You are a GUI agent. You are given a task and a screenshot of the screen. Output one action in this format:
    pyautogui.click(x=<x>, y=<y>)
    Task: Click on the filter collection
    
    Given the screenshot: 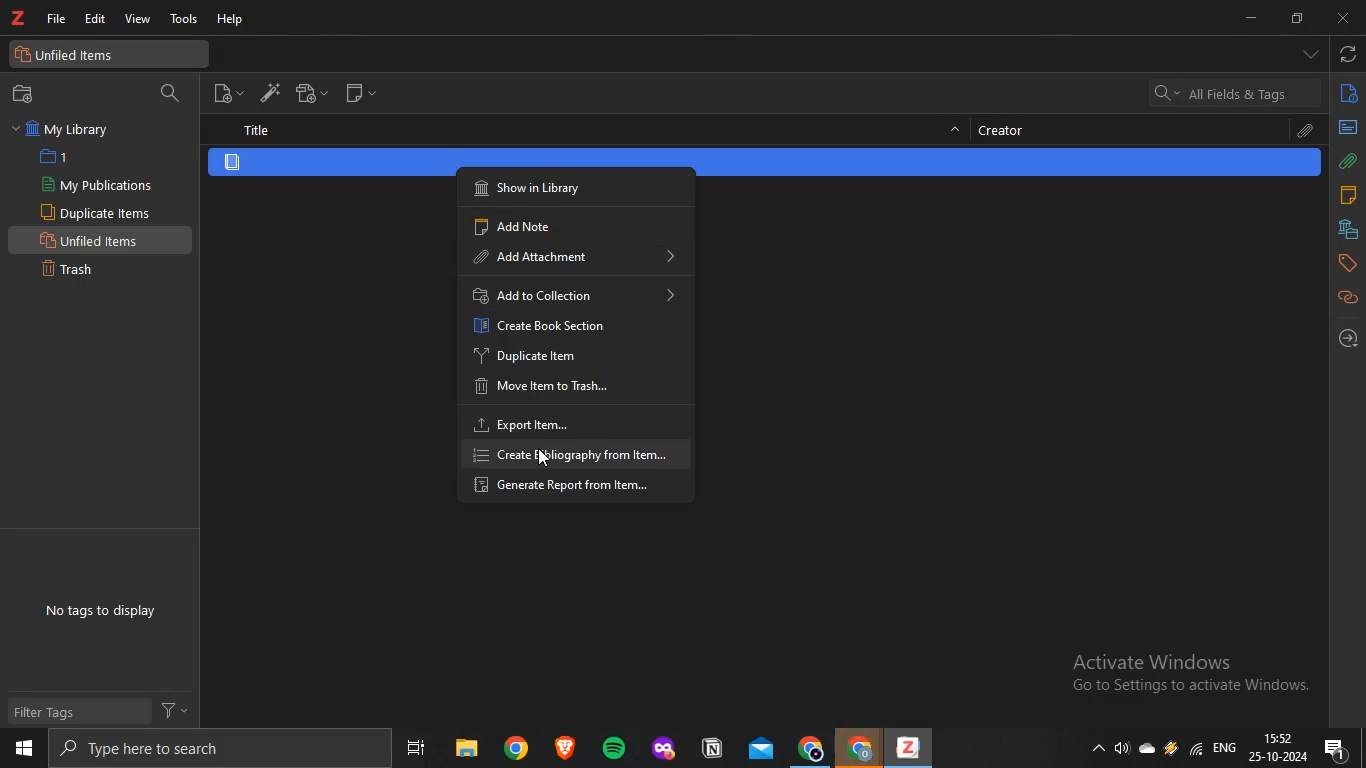 What is the action you would take?
    pyautogui.click(x=172, y=94)
    